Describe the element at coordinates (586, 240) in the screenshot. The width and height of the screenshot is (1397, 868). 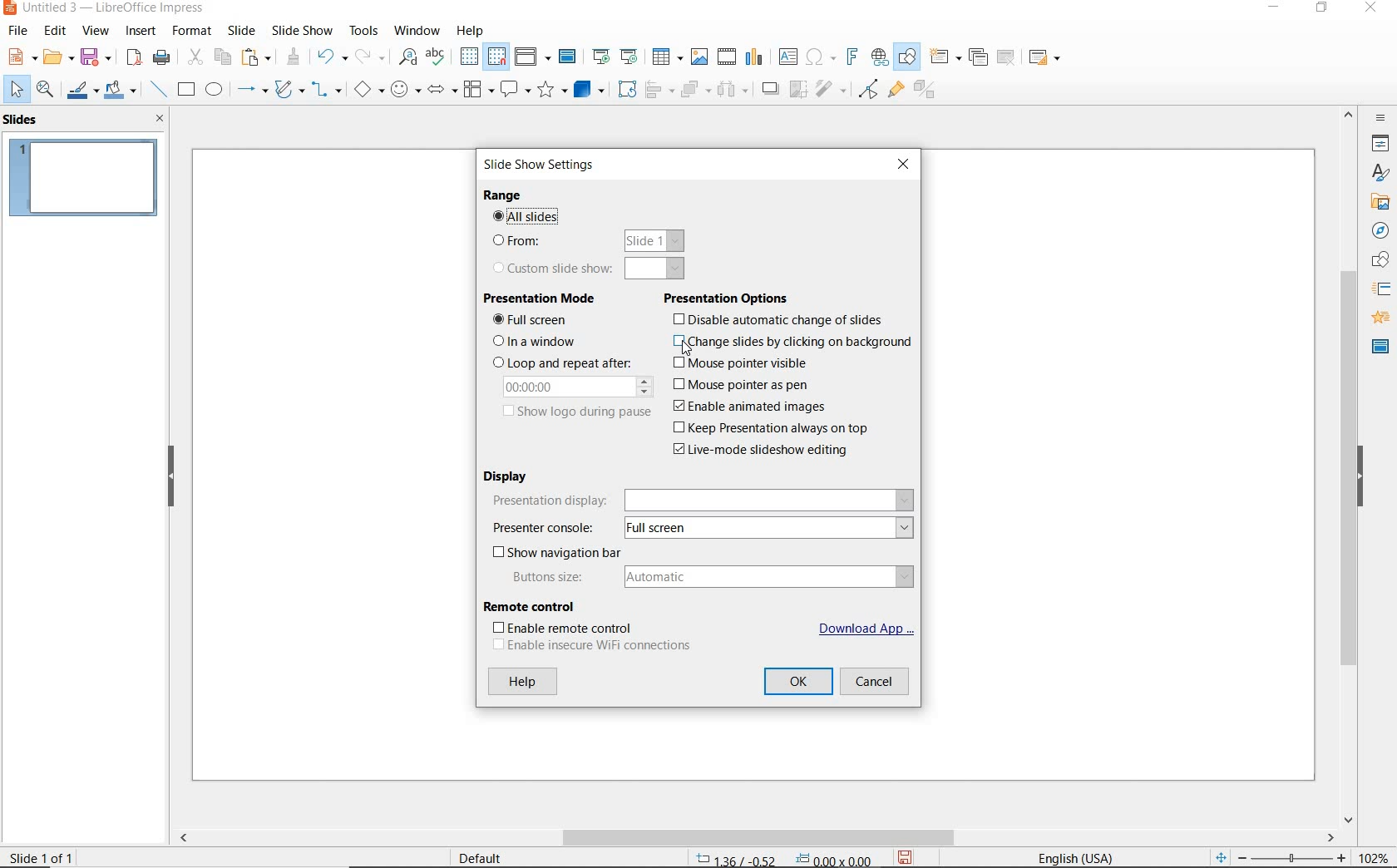
I see `FROM` at that location.